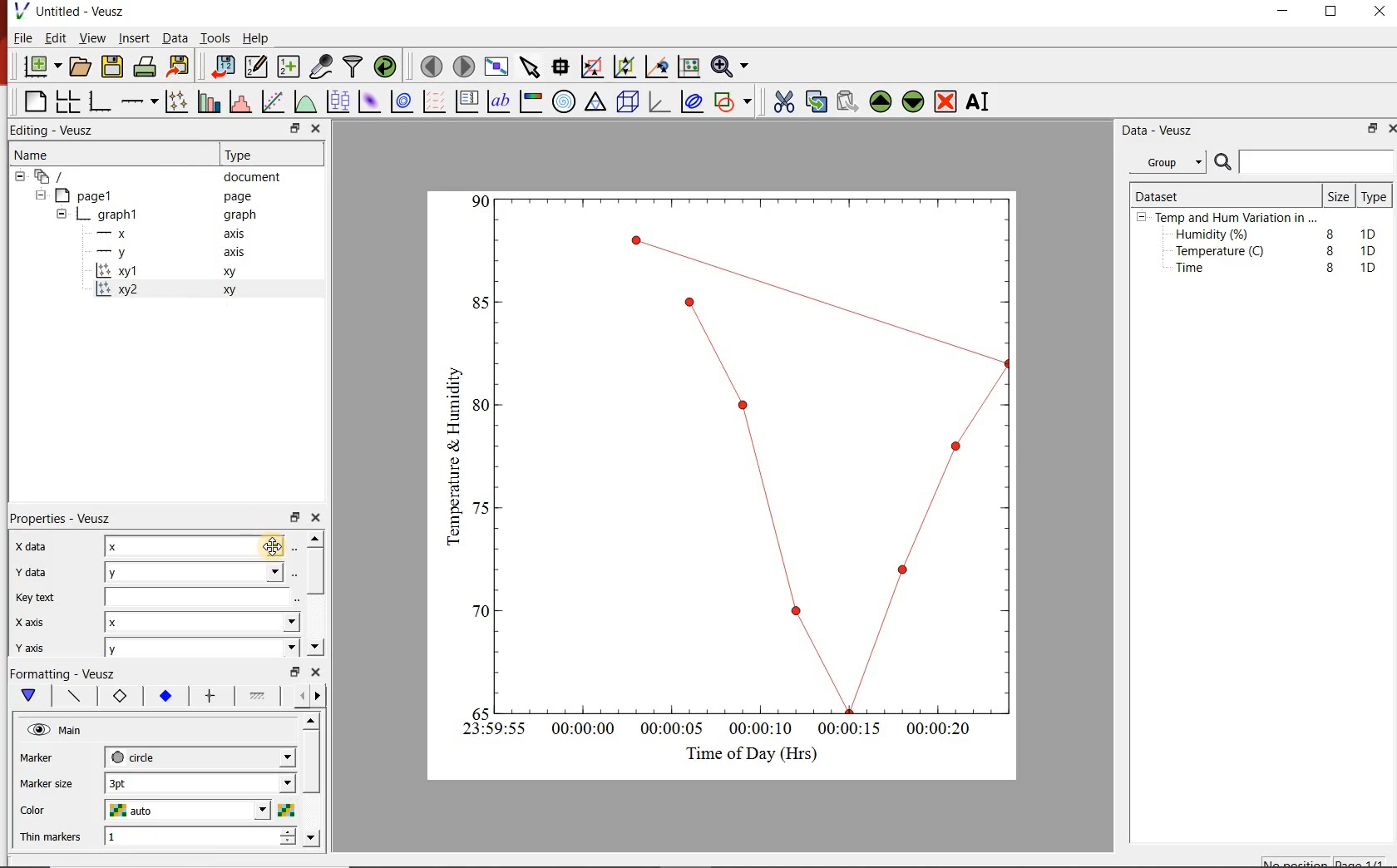  I want to click on document, so click(258, 177).